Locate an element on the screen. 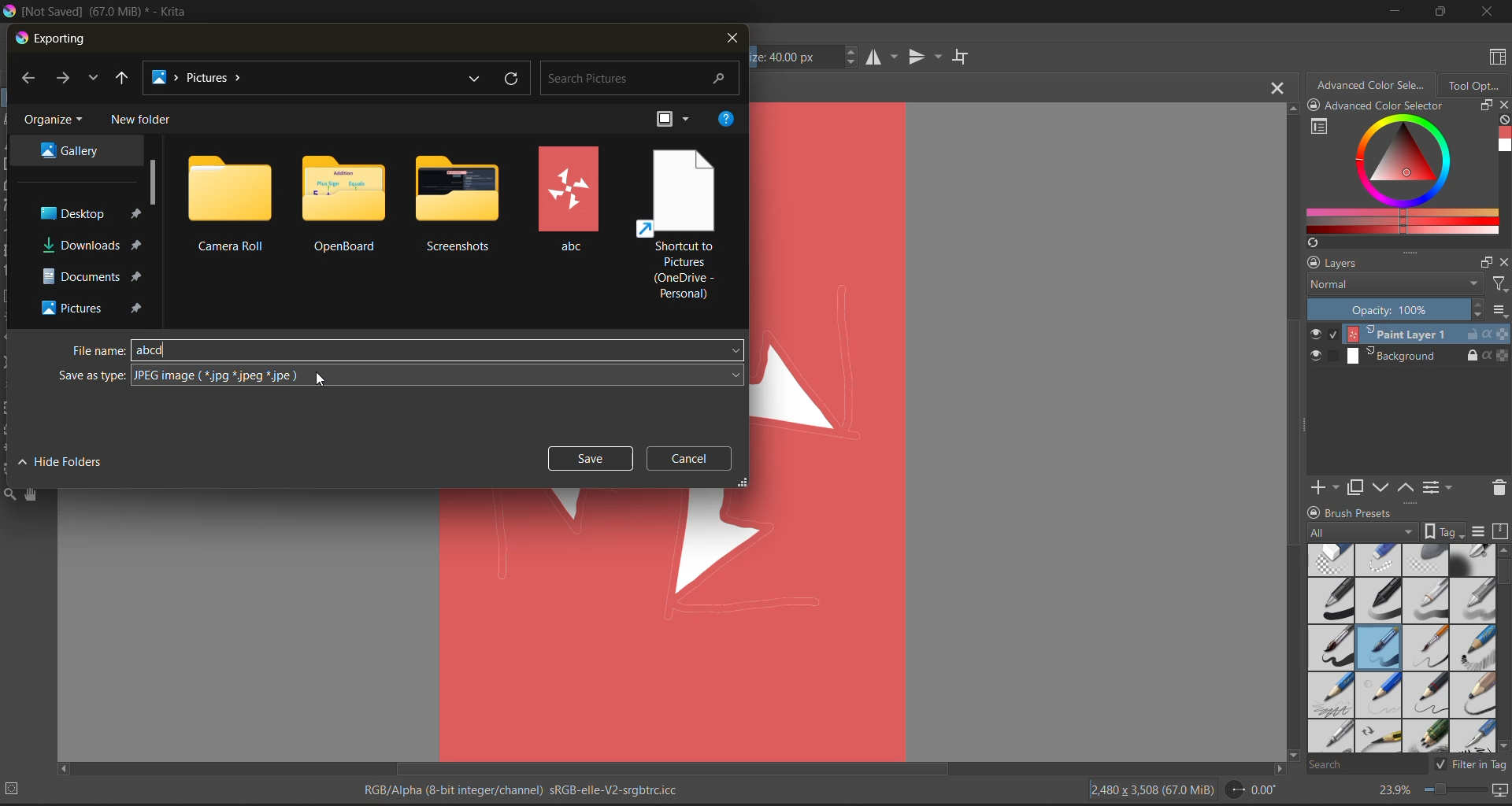  tool options is located at coordinates (1476, 88).